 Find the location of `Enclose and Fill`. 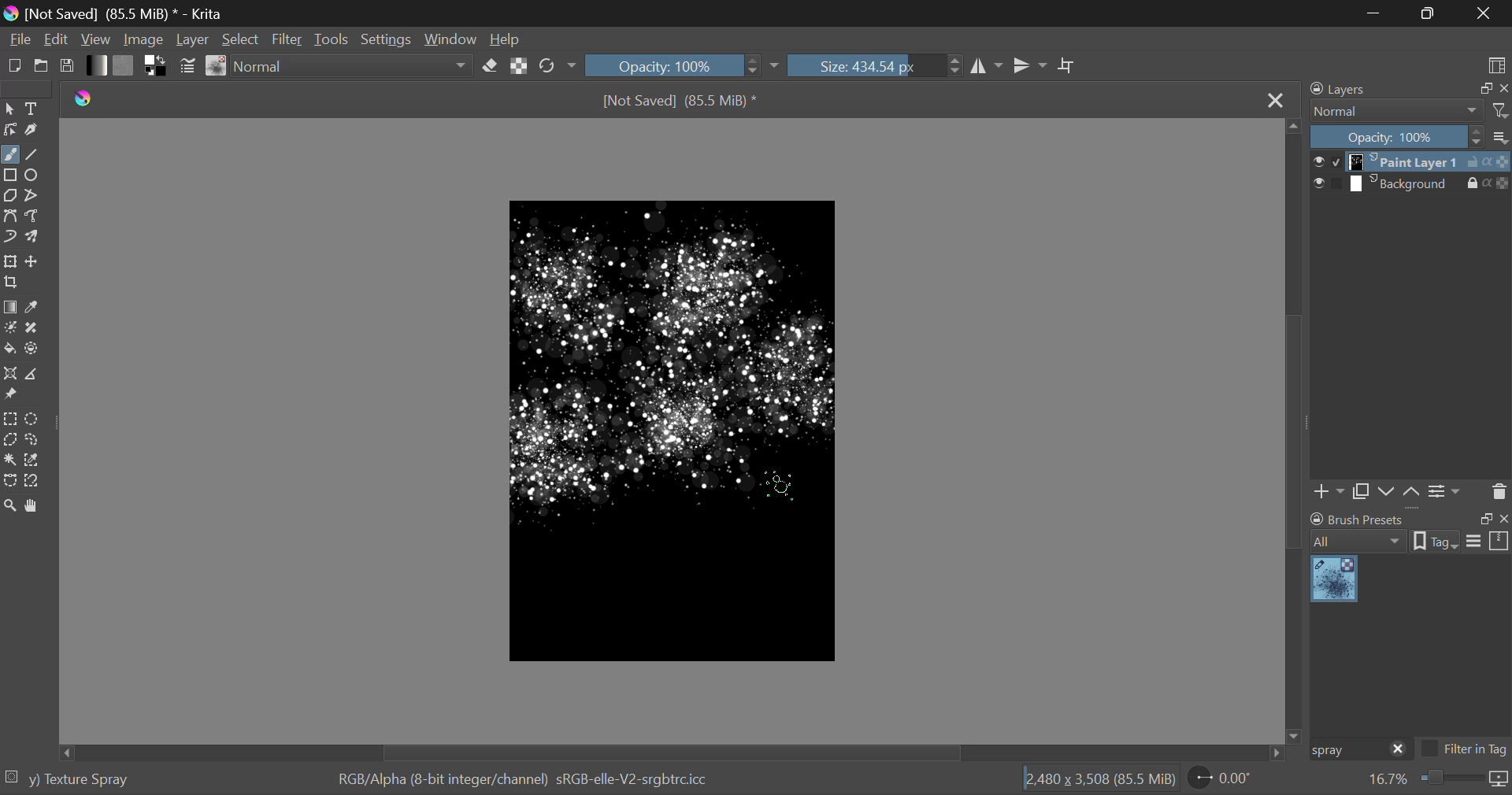

Enclose and Fill is located at coordinates (32, 350).